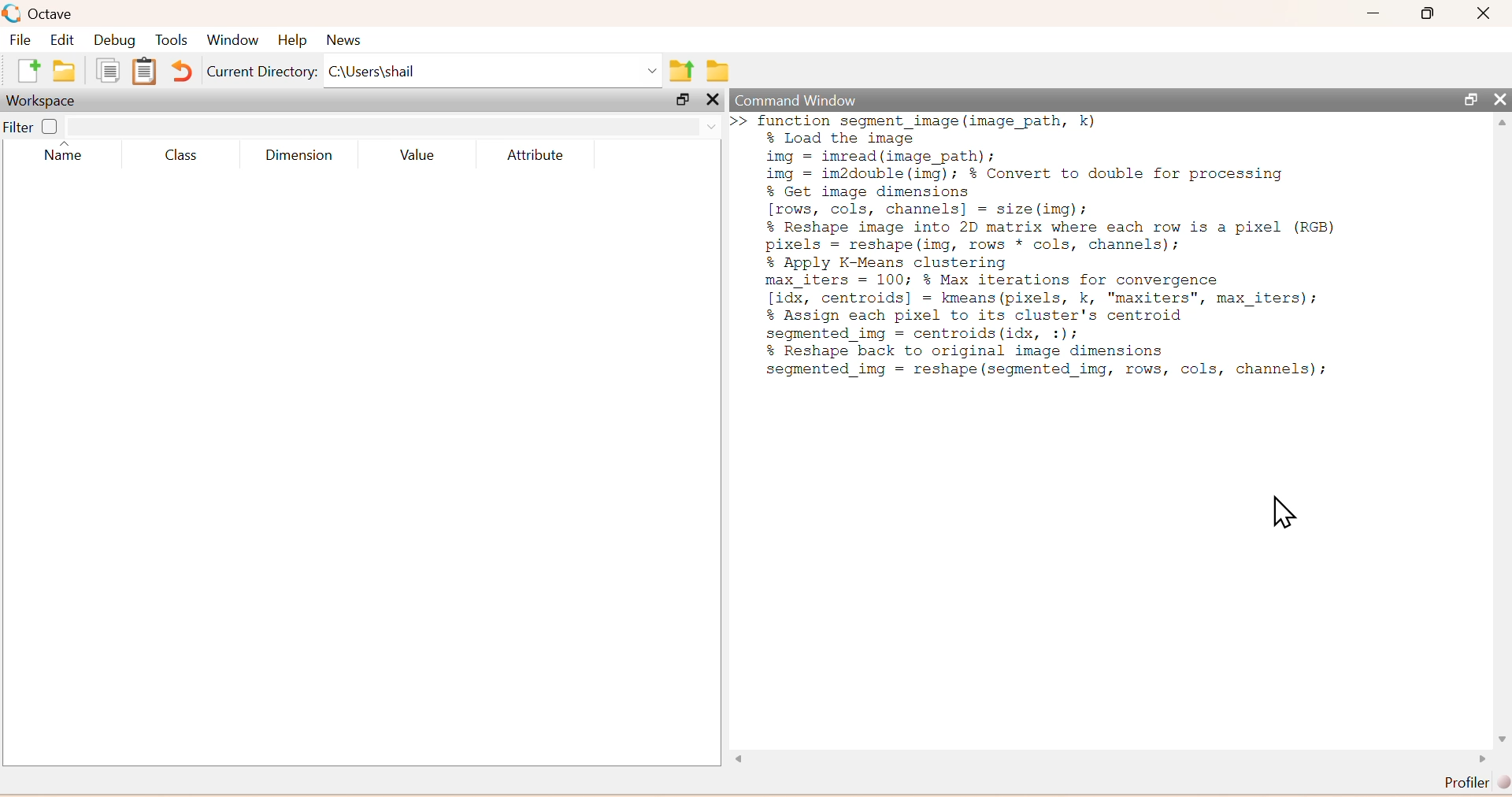 The image size is (1512, 797). What do you see at coordinates (801, 100) in the screenshot?
I see `Command Window` at bounding box center [801, 100].